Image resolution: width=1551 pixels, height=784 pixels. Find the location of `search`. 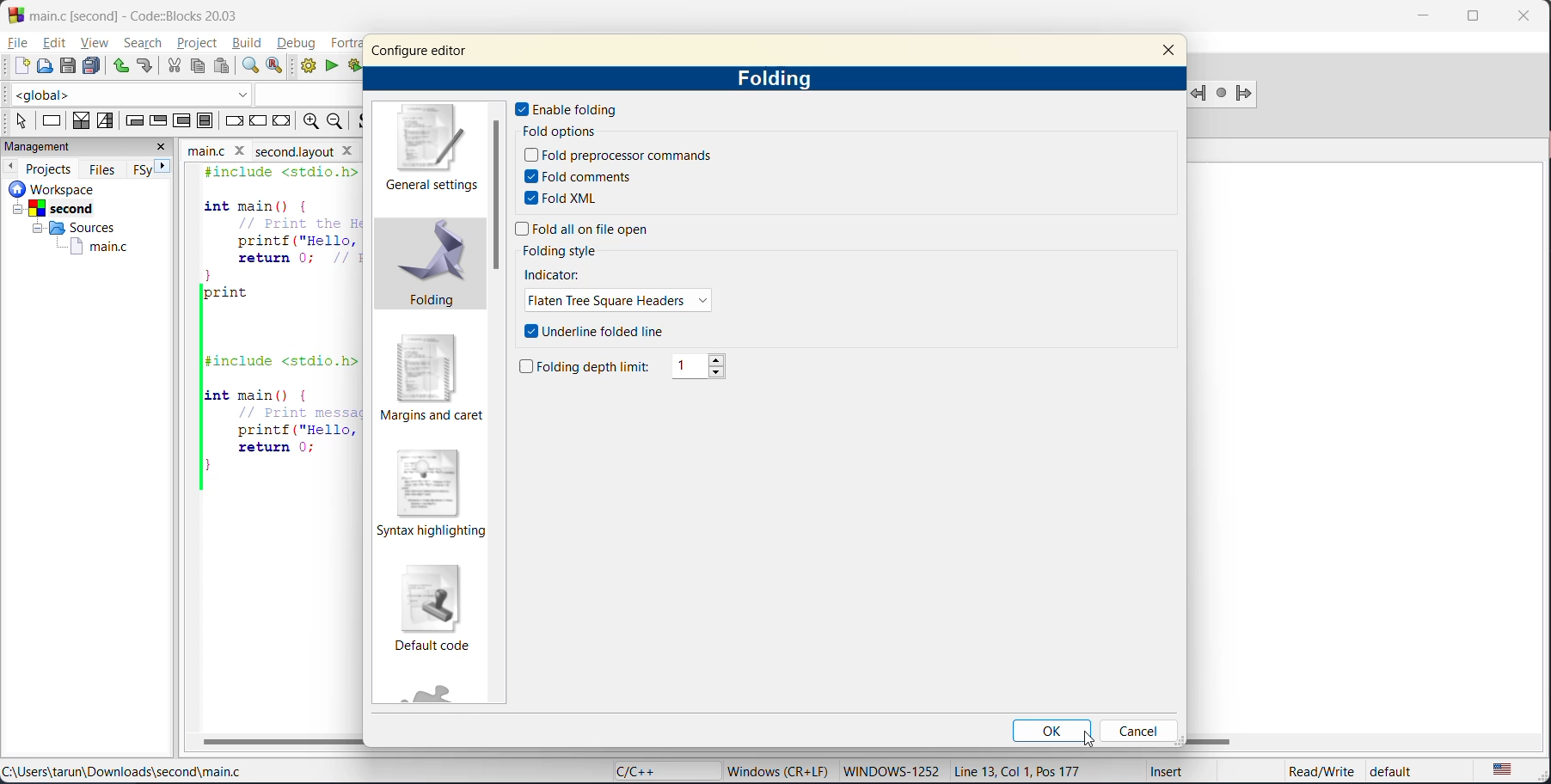

search is located at coordinates (144, 45).